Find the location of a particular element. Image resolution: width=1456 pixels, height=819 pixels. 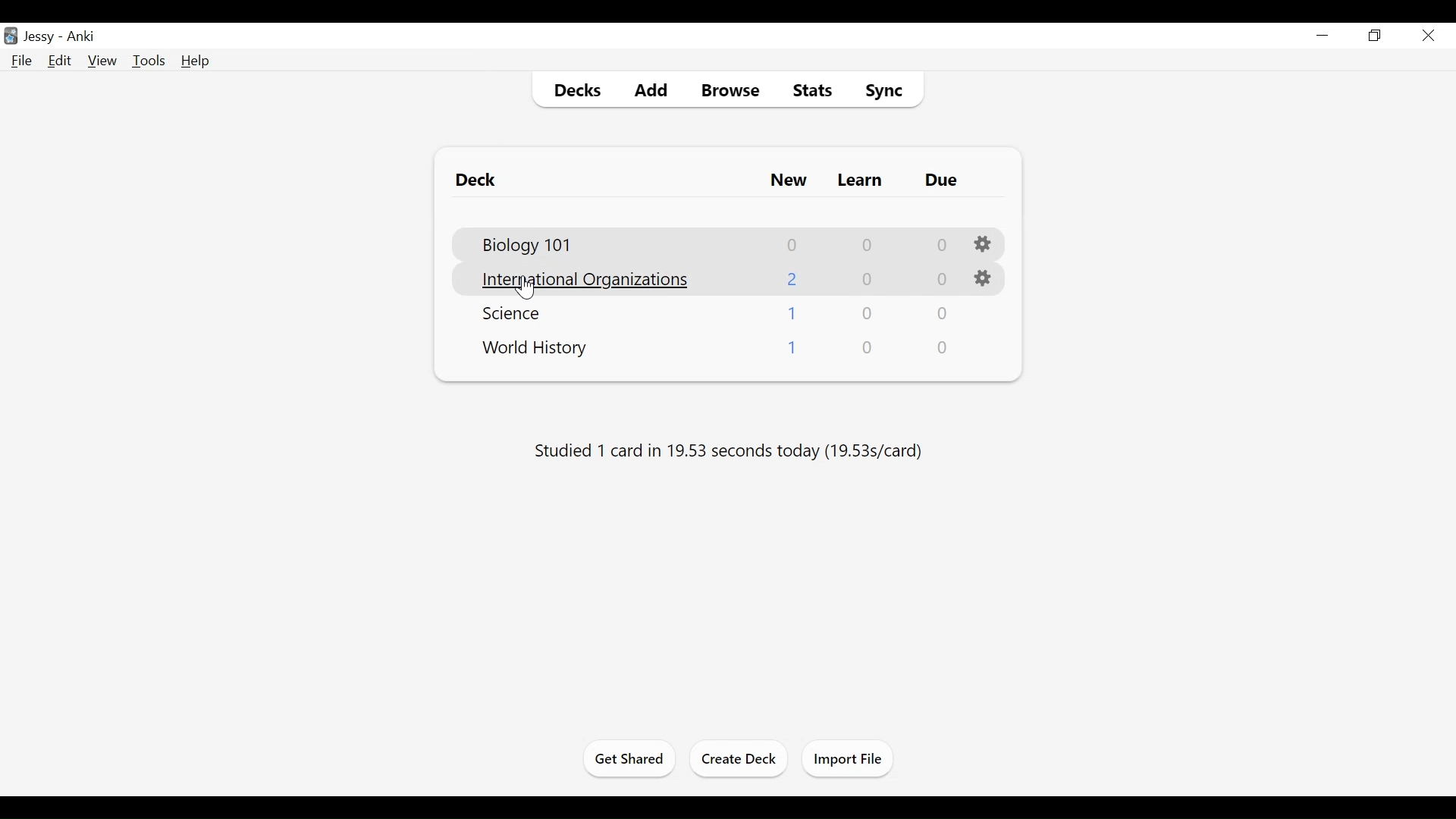

Anki Desktop Icon is located at coordinates (11, 35).